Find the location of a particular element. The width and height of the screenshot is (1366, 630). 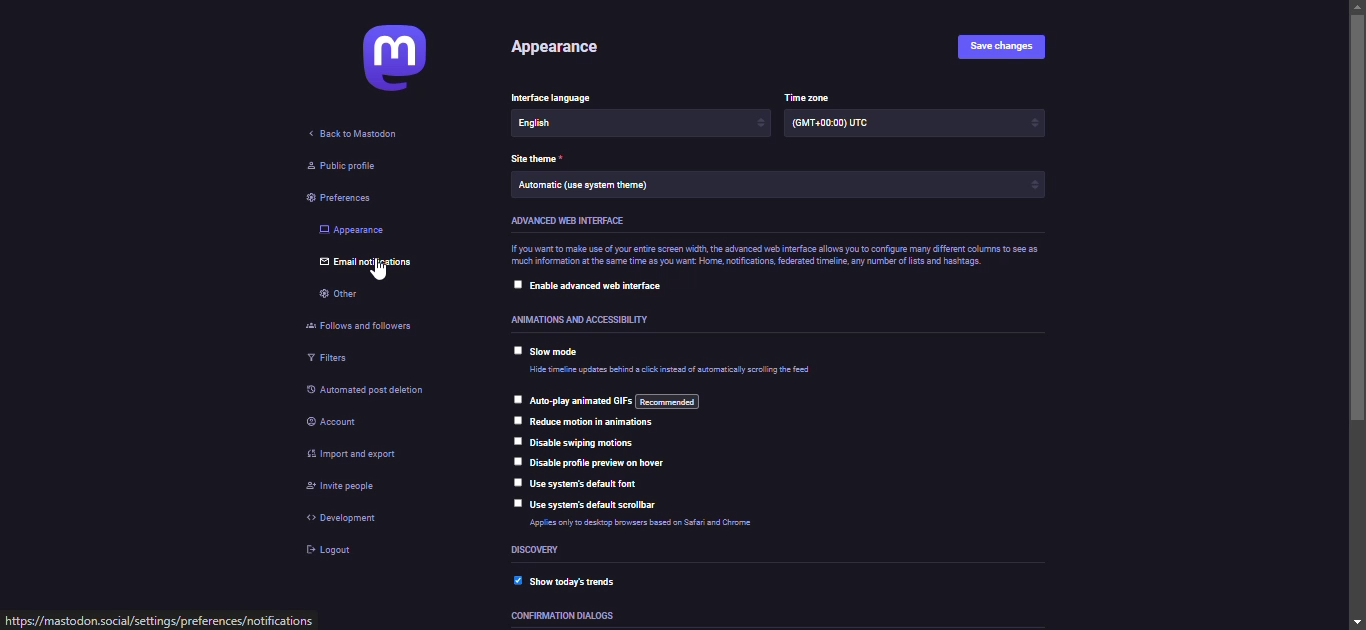

import & export is located at coordinates (364, 454).